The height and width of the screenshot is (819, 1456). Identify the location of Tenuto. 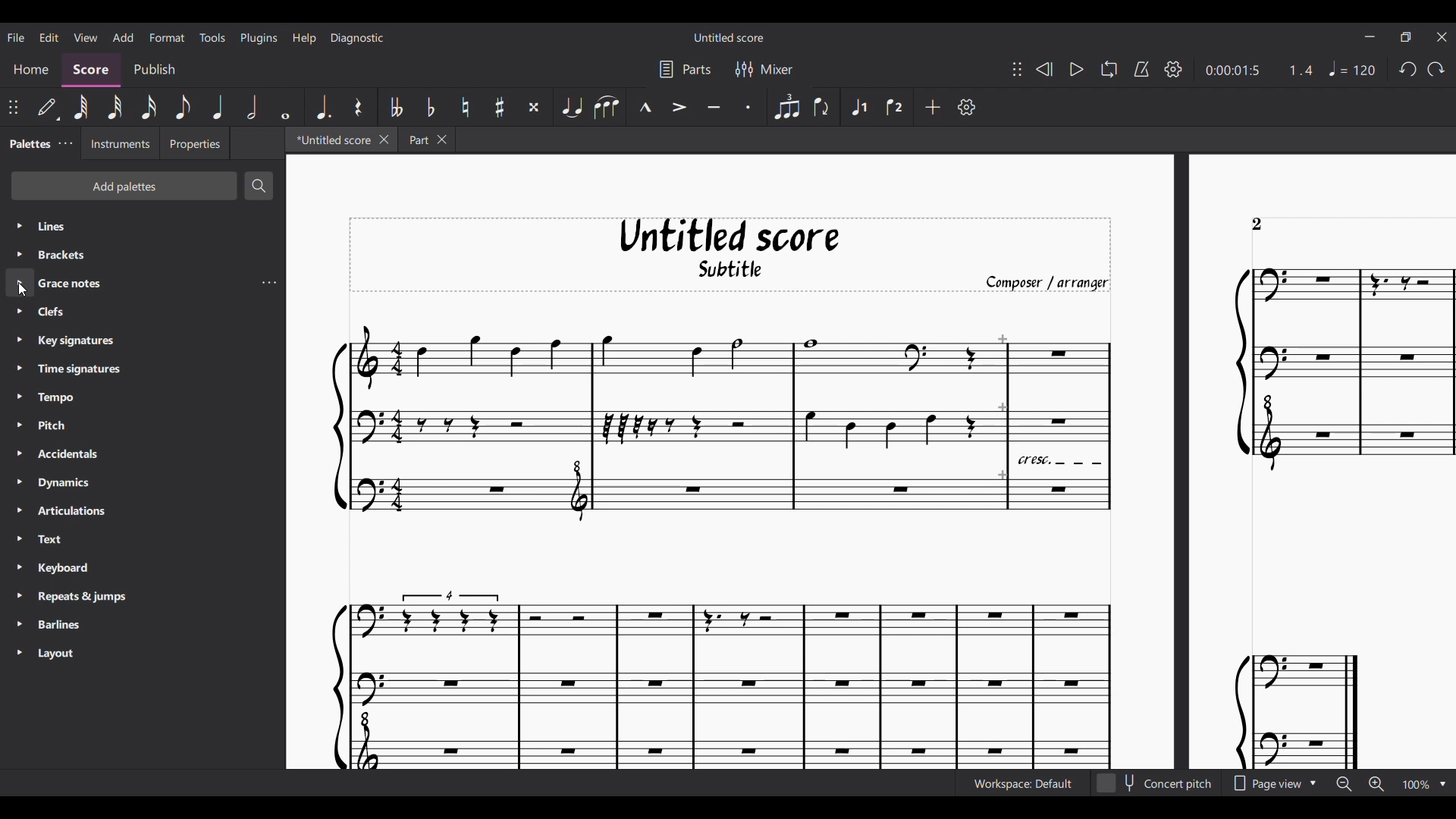
(714, 106).